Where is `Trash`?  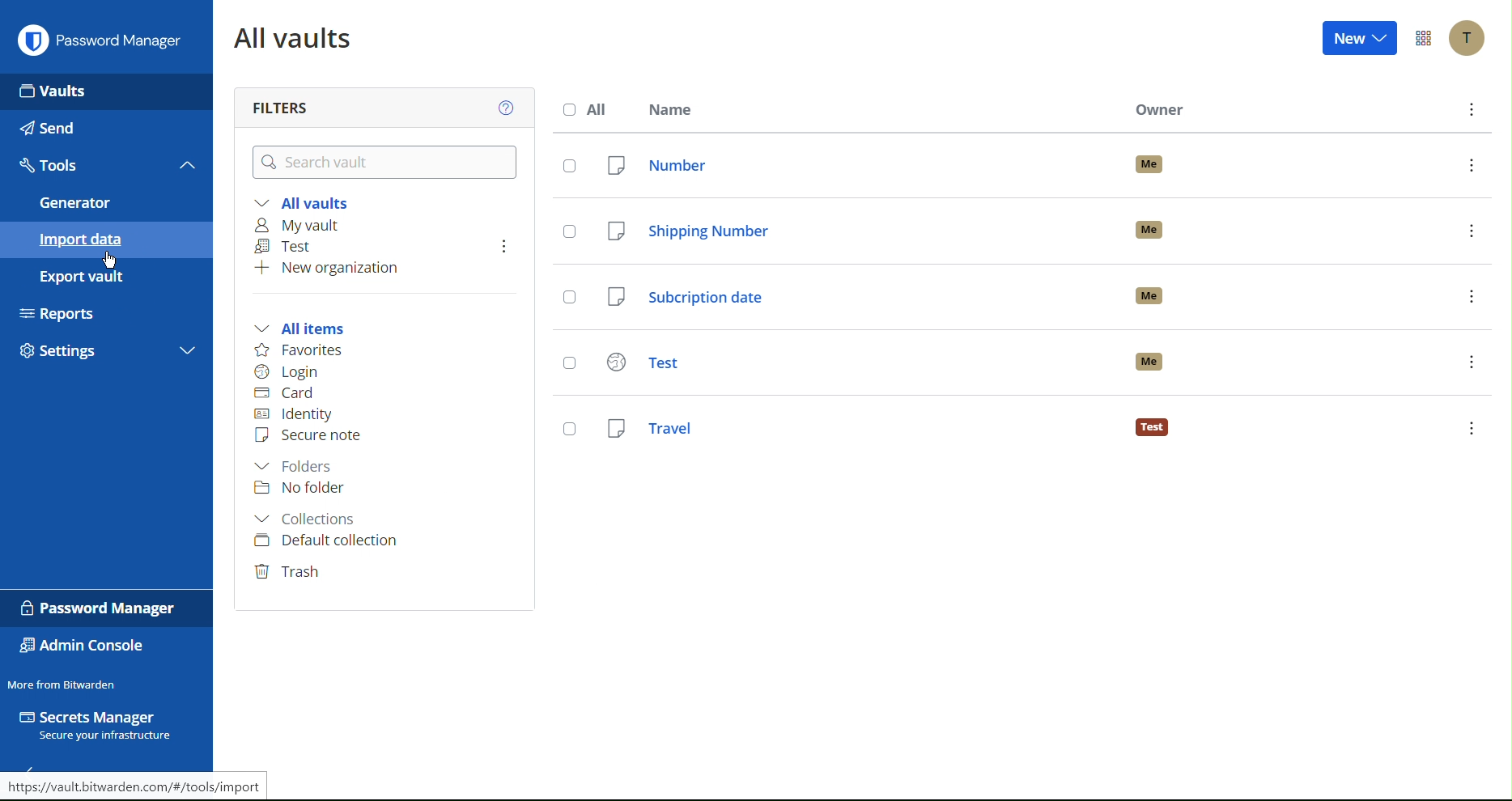 Trash is located at coordinates (292, 572).